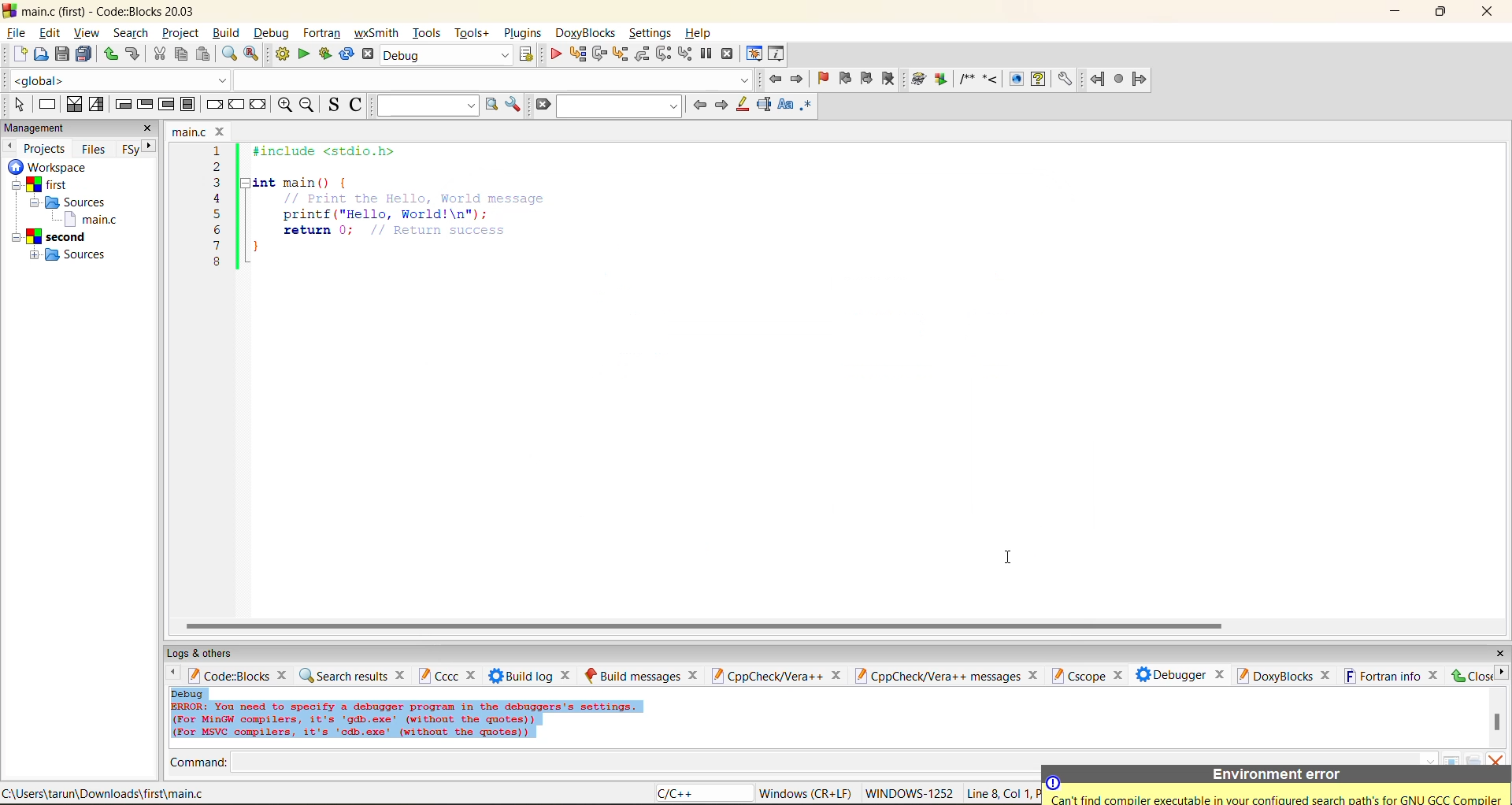 This screenshot has width=1512, height=805. I want to click on stop, so click(1120, 80).